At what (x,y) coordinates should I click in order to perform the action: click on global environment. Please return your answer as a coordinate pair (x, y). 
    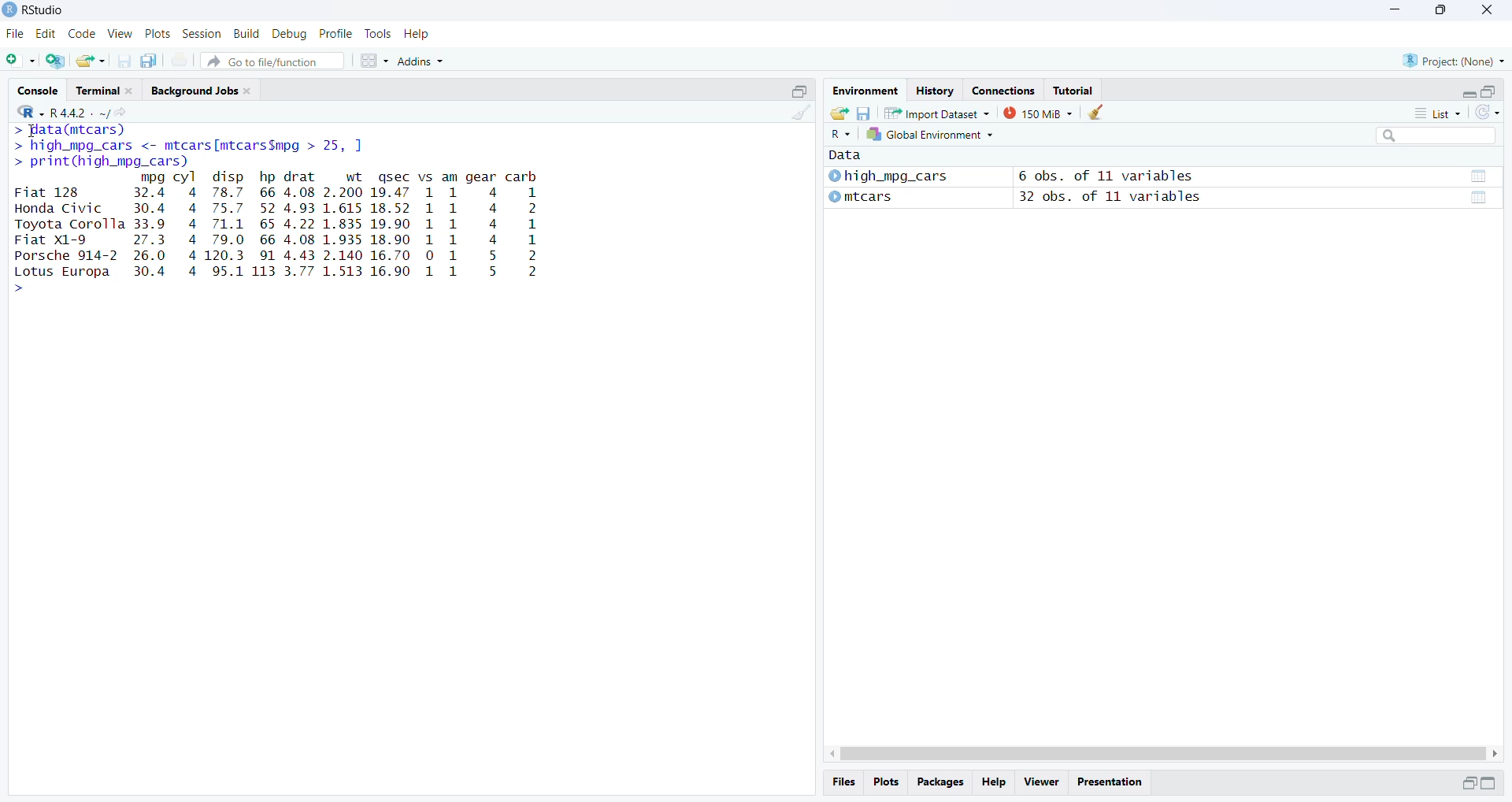
    Looking at the image, I should click on (927, 135).